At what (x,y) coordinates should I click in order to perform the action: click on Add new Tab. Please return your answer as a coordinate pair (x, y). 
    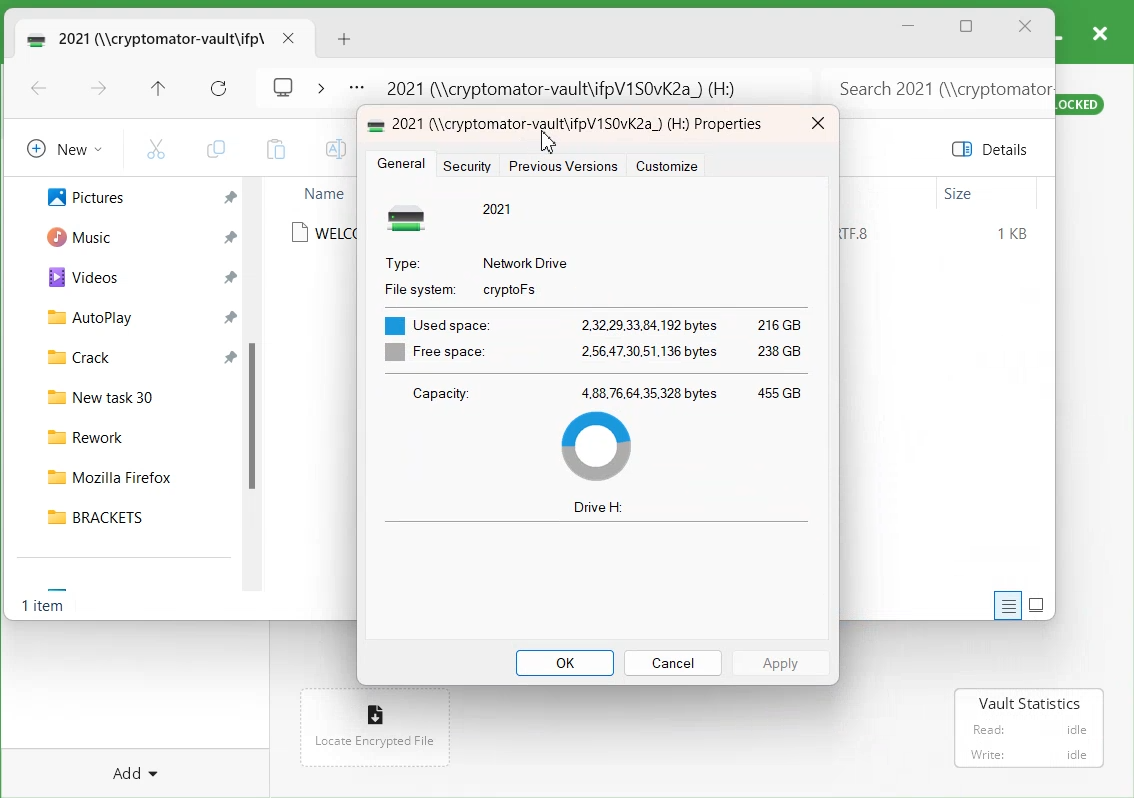
    Looking at the image, I should click on (347, 39).